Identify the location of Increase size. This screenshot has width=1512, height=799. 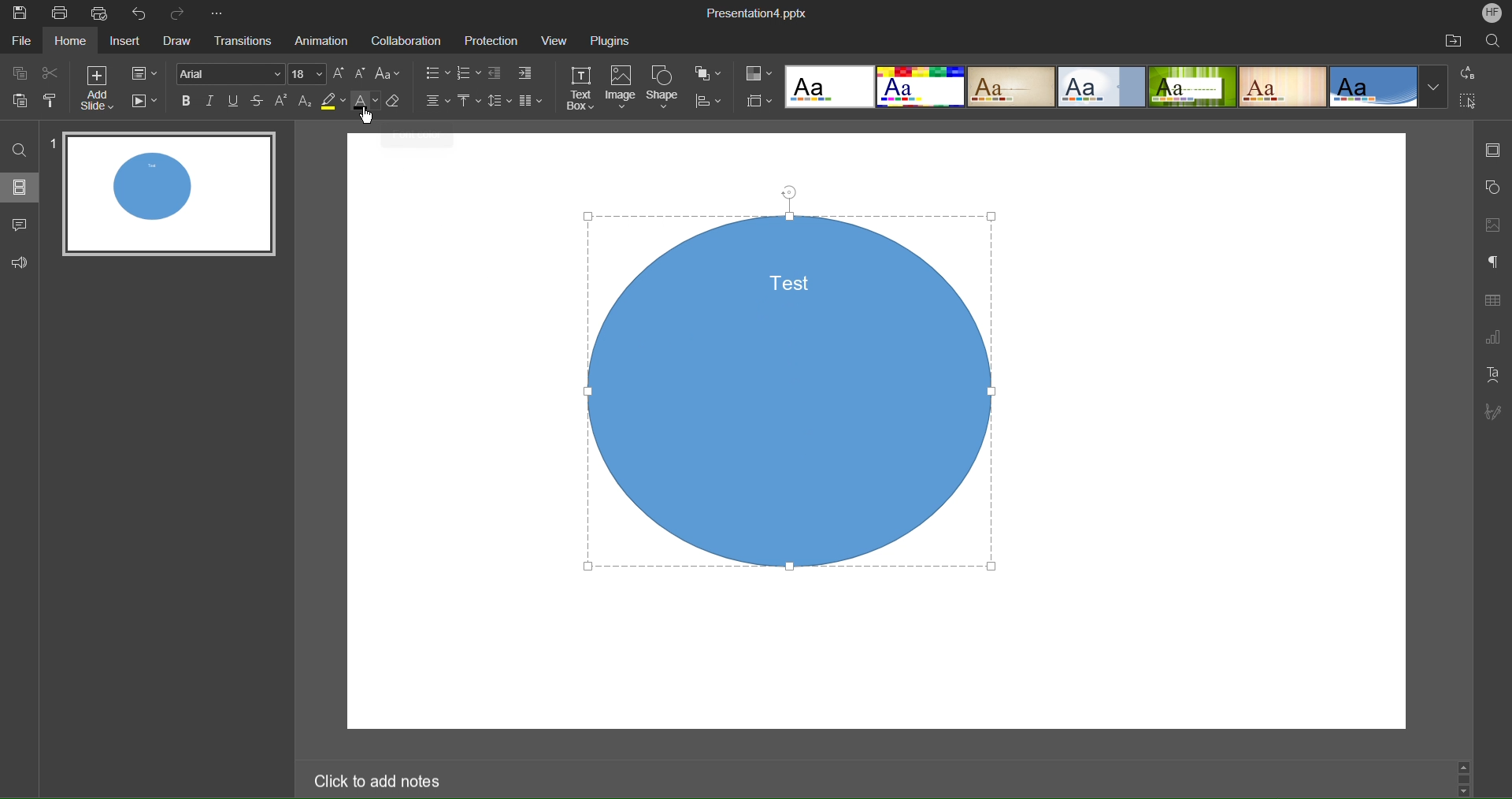
(338, 73).